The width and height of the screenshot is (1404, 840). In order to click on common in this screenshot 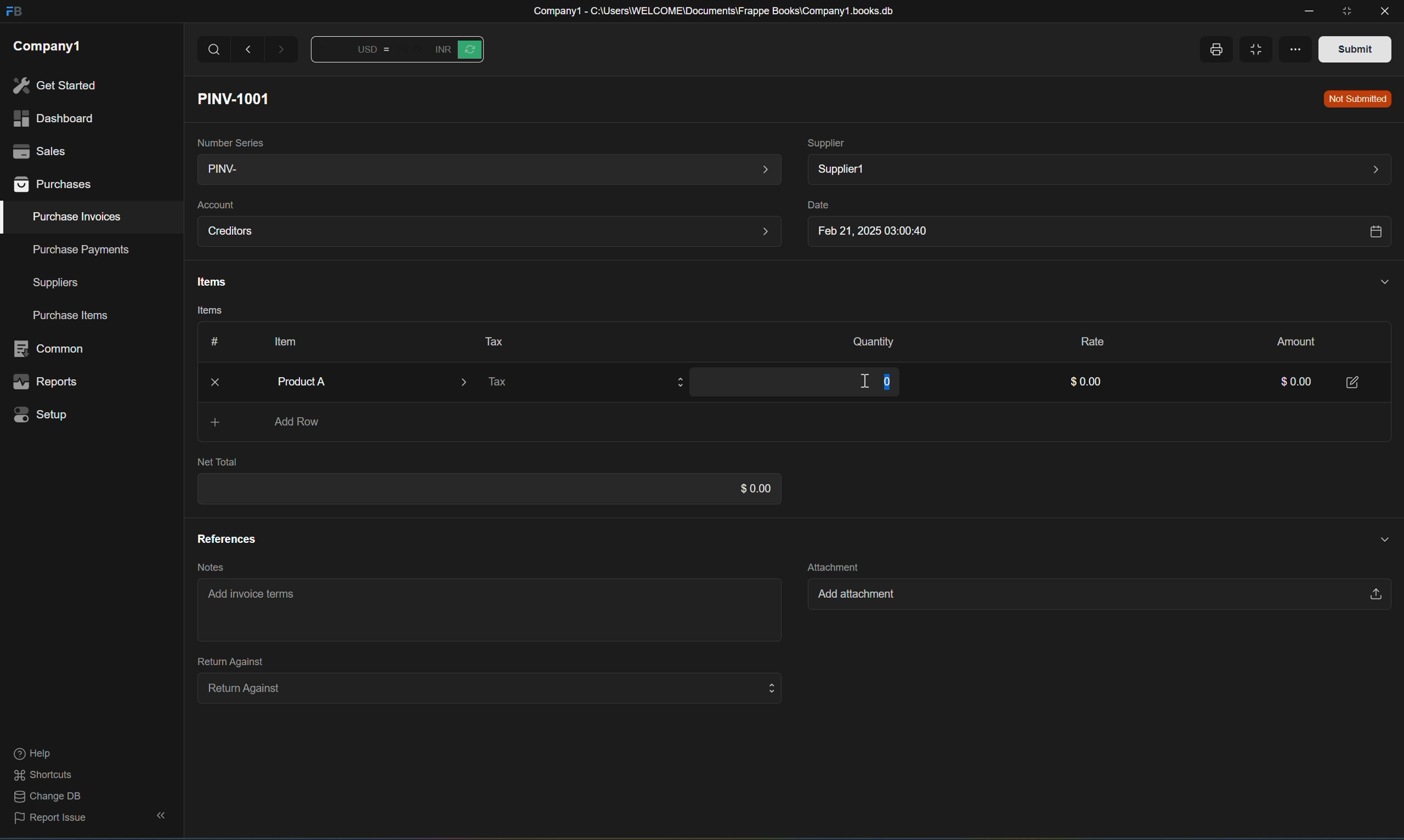, I will do `click(52, 349)`.